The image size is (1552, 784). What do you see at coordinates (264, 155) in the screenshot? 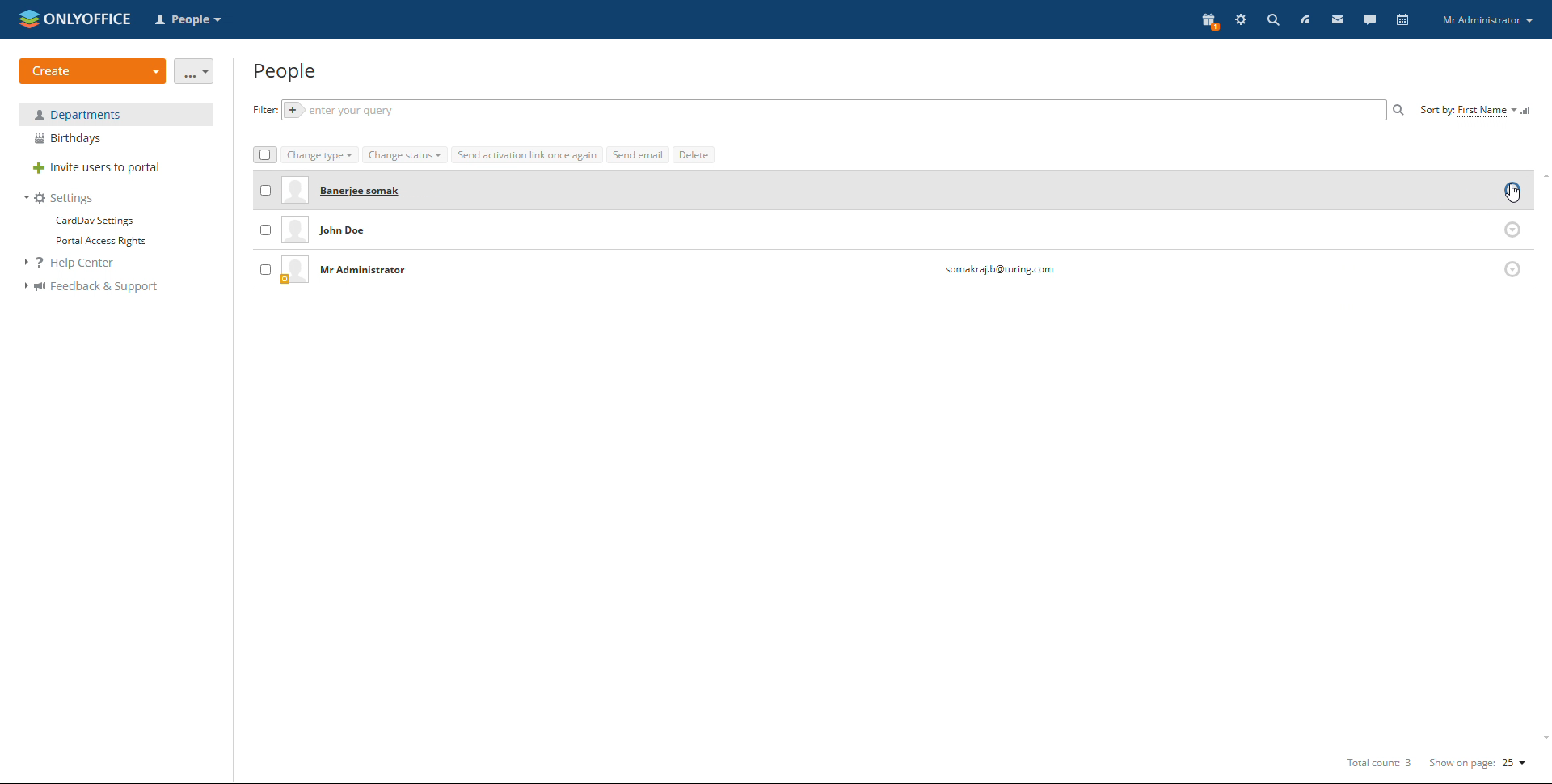
I see `select all` at bounding box center [264, 155].